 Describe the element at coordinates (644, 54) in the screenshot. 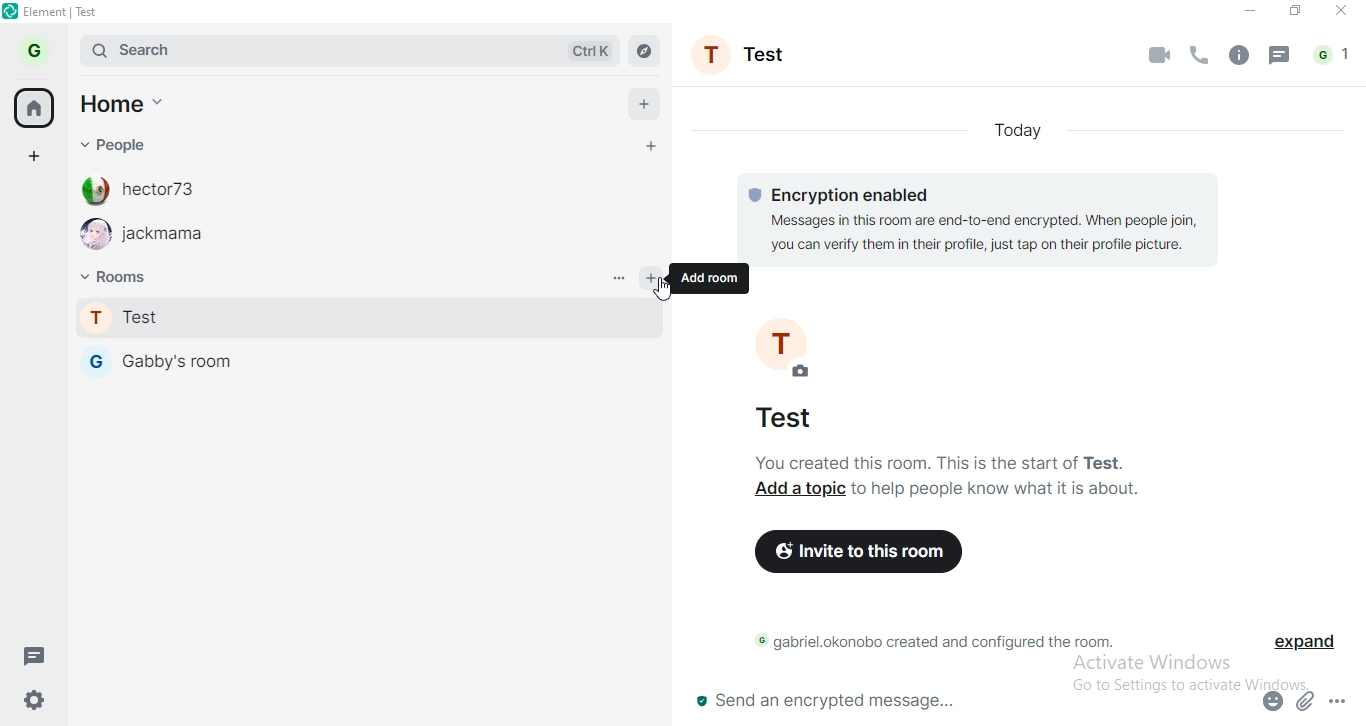

I see `navigate` at that location.